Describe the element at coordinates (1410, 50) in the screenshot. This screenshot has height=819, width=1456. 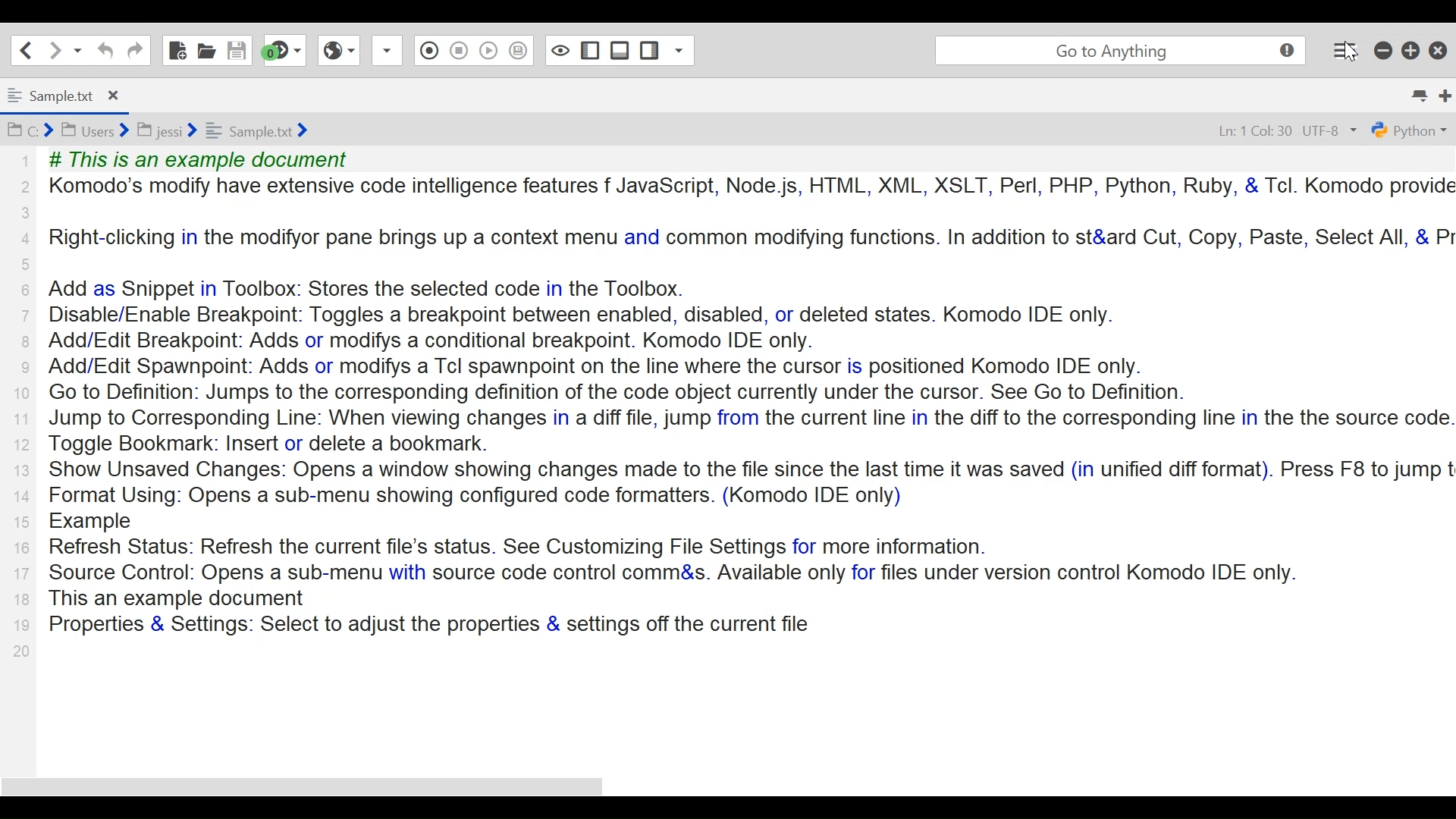
I see `Restore` at that location.